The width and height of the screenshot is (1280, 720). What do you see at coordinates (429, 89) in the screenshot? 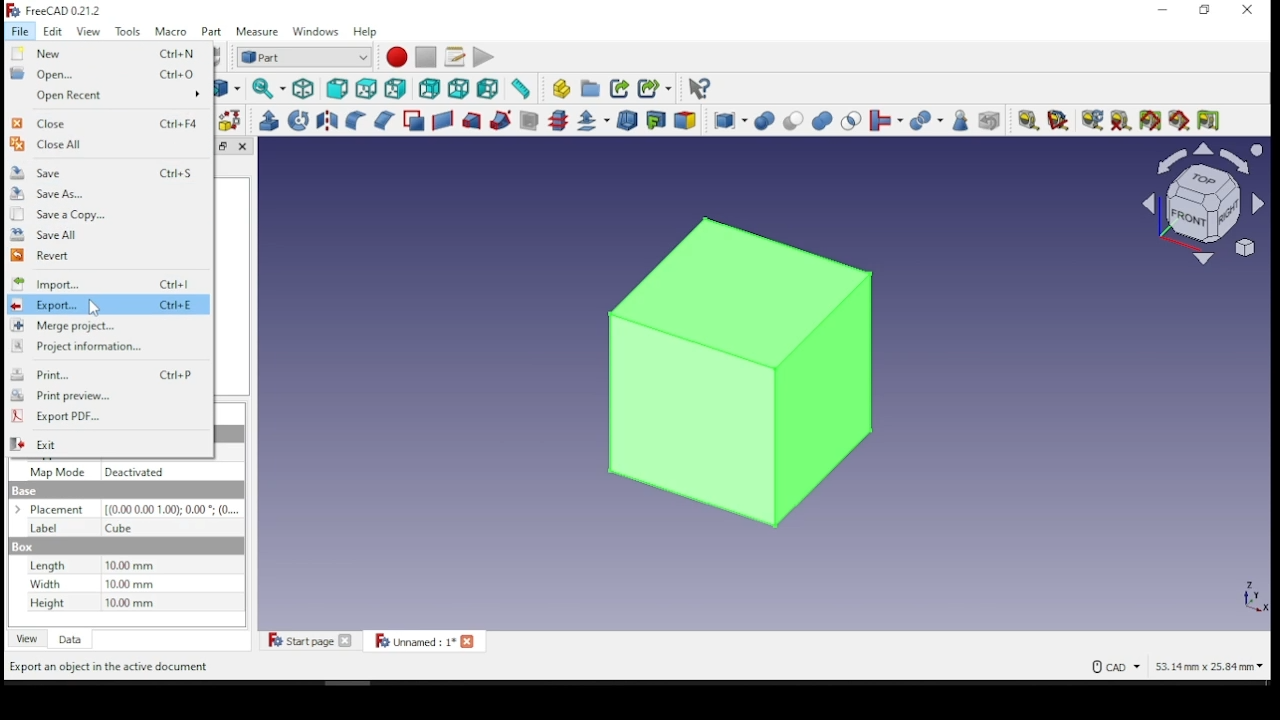
I see `rear` at bounding box center [429, 89].